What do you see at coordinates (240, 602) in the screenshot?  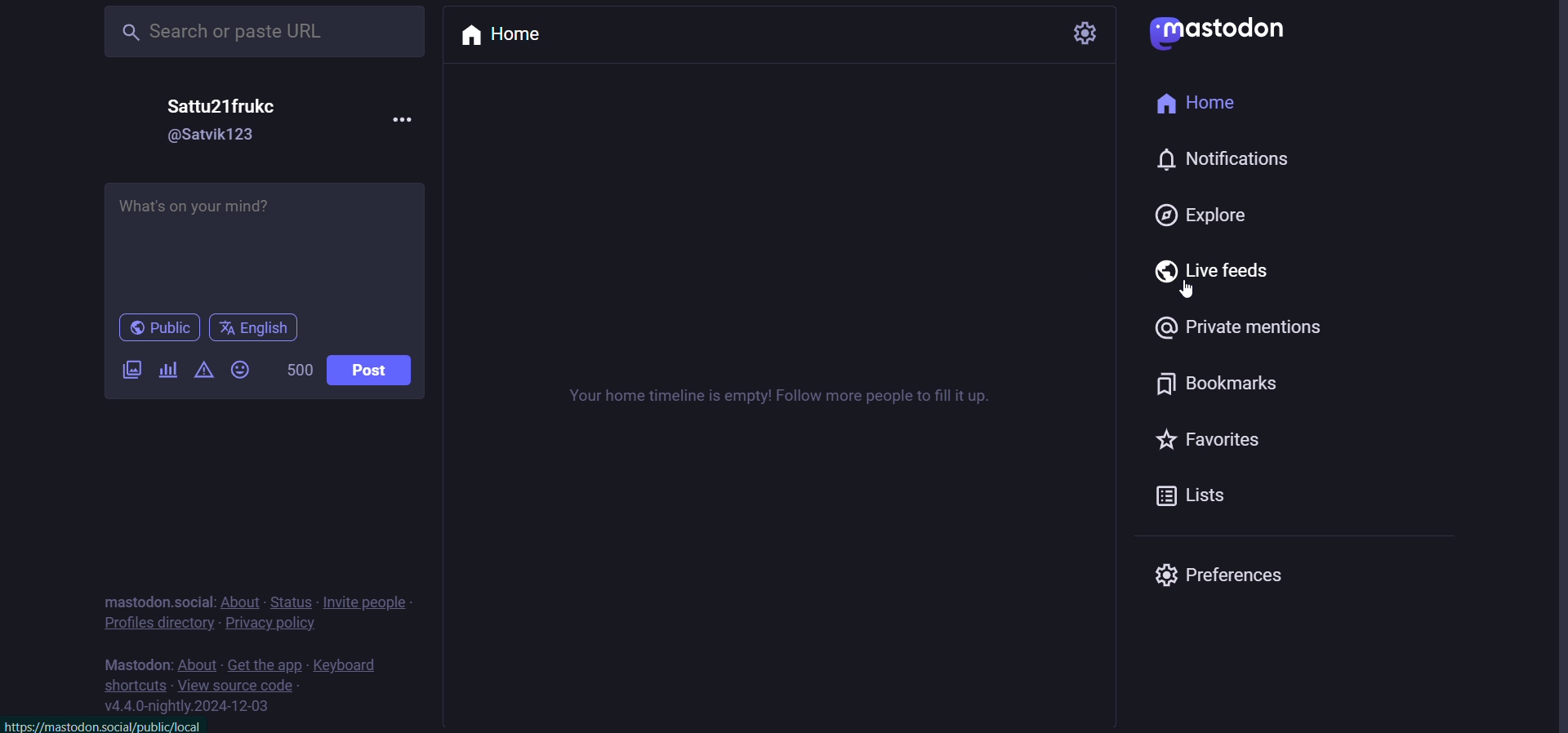 I see `about` at bounding box center [240, 602].